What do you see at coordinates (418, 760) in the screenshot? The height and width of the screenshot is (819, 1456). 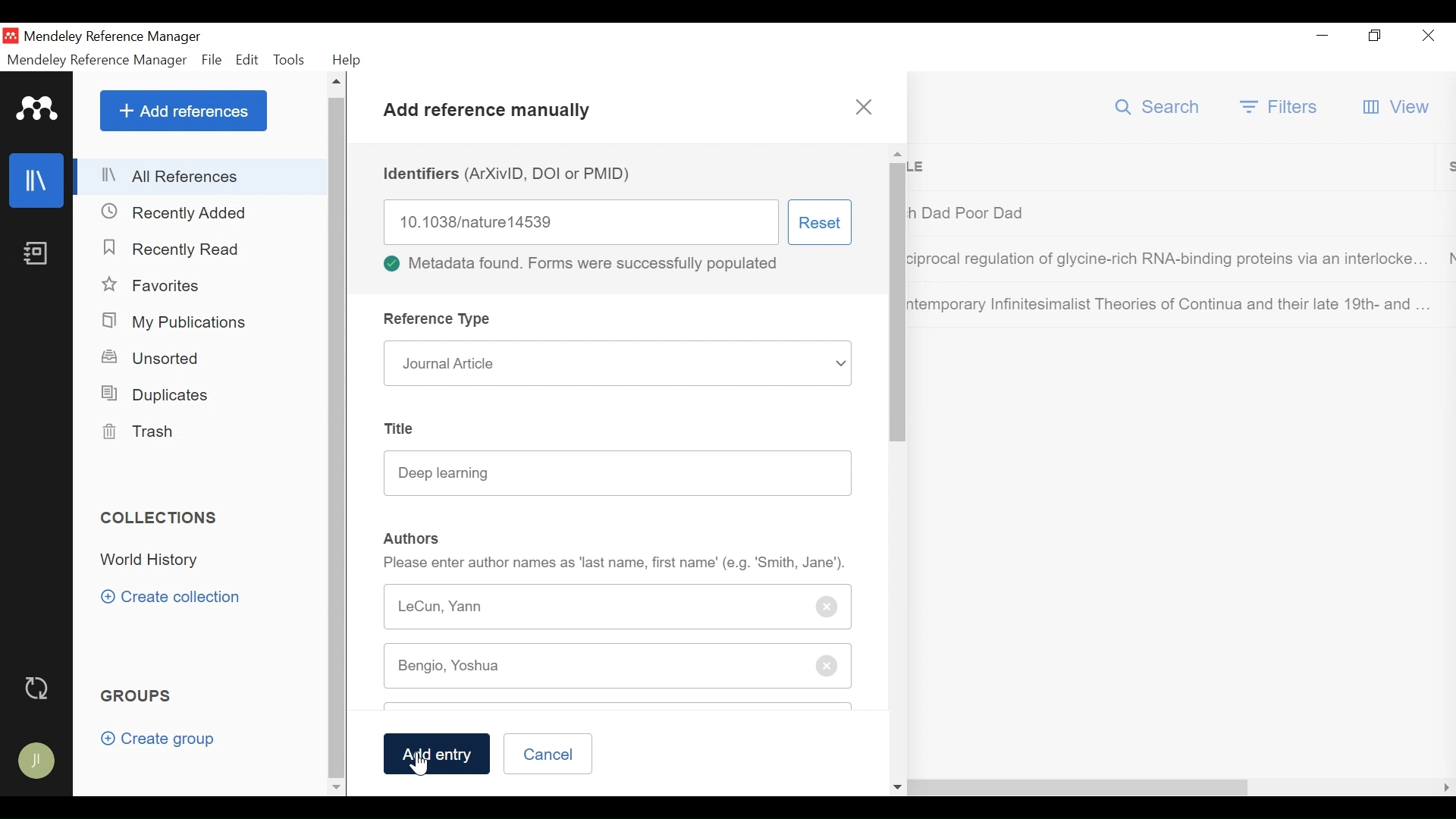 I see `cursor` at bounding box center [418, 760].